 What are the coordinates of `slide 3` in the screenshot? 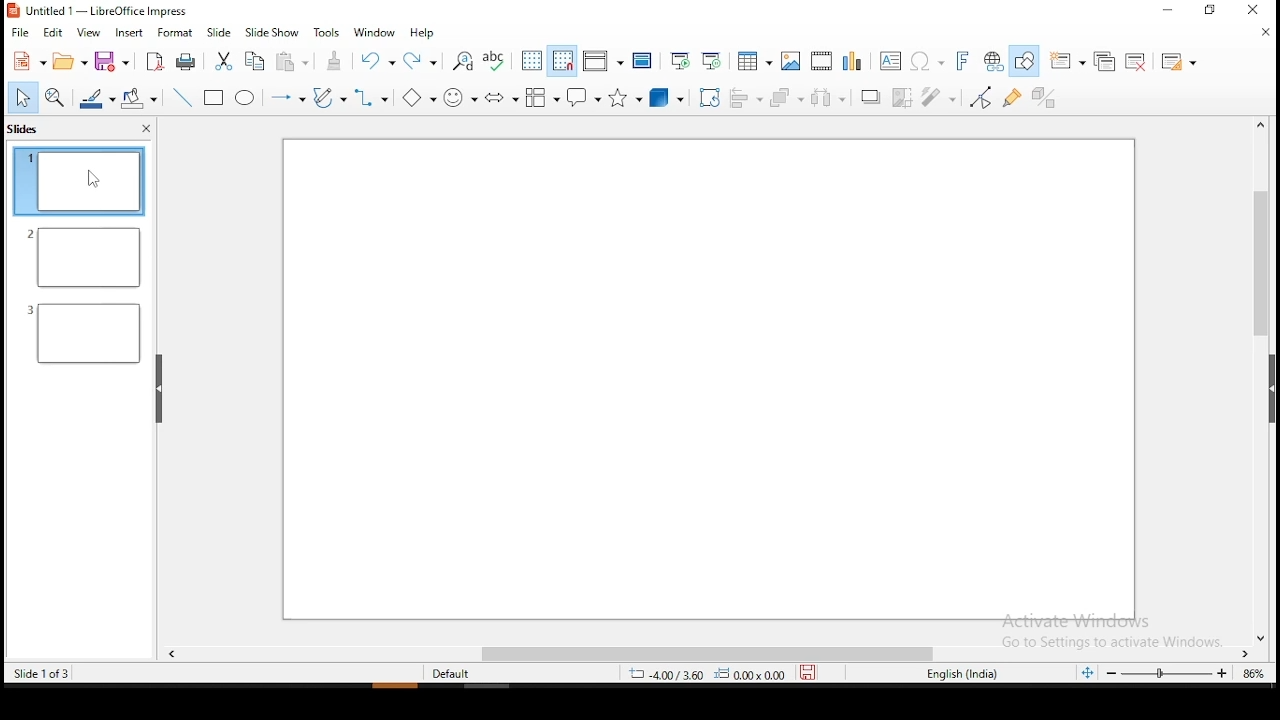 It's located at (88, 332).